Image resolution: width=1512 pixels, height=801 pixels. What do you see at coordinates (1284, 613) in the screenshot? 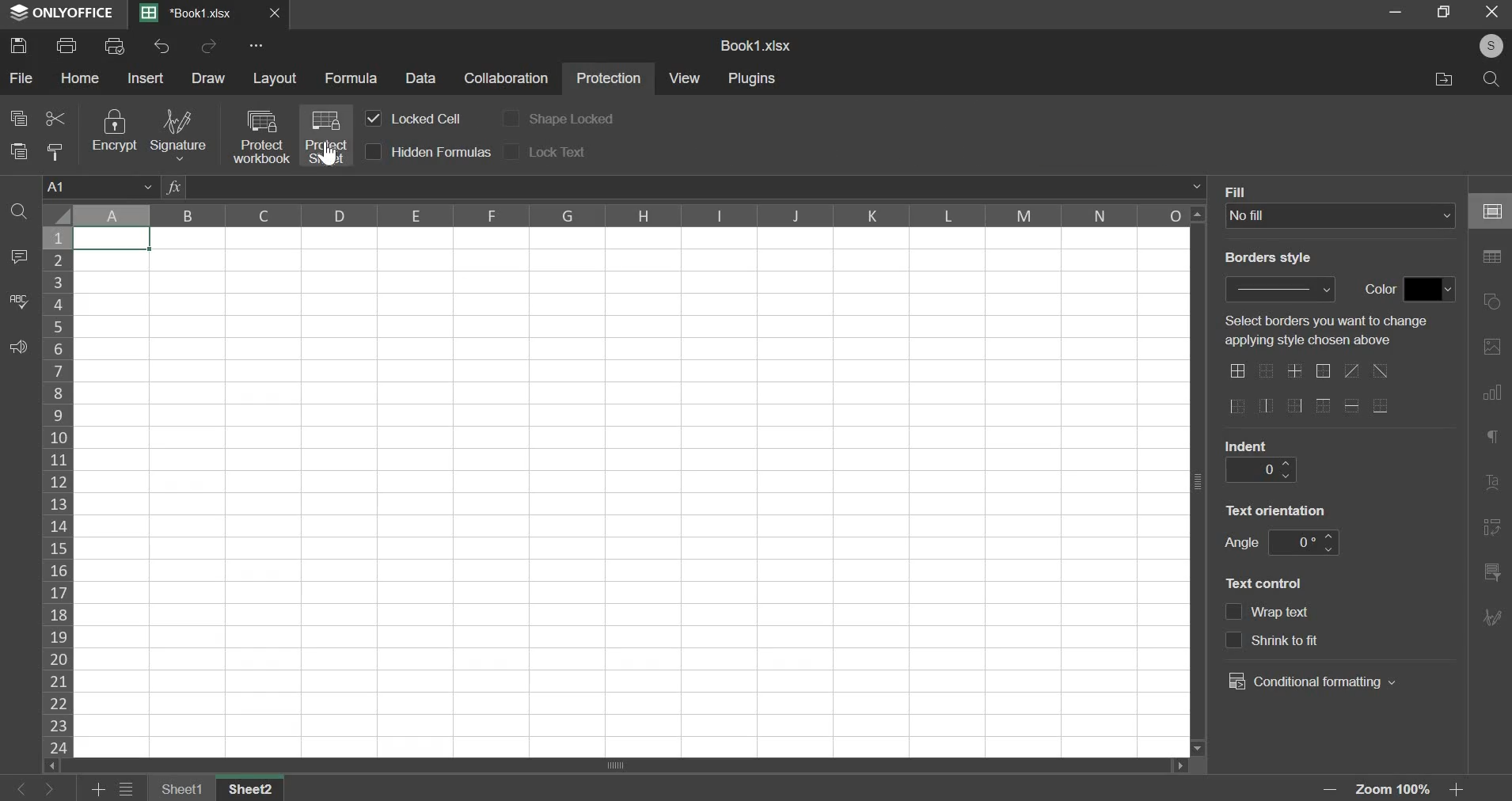
I see `text control` at bounding box center [1284, 613].